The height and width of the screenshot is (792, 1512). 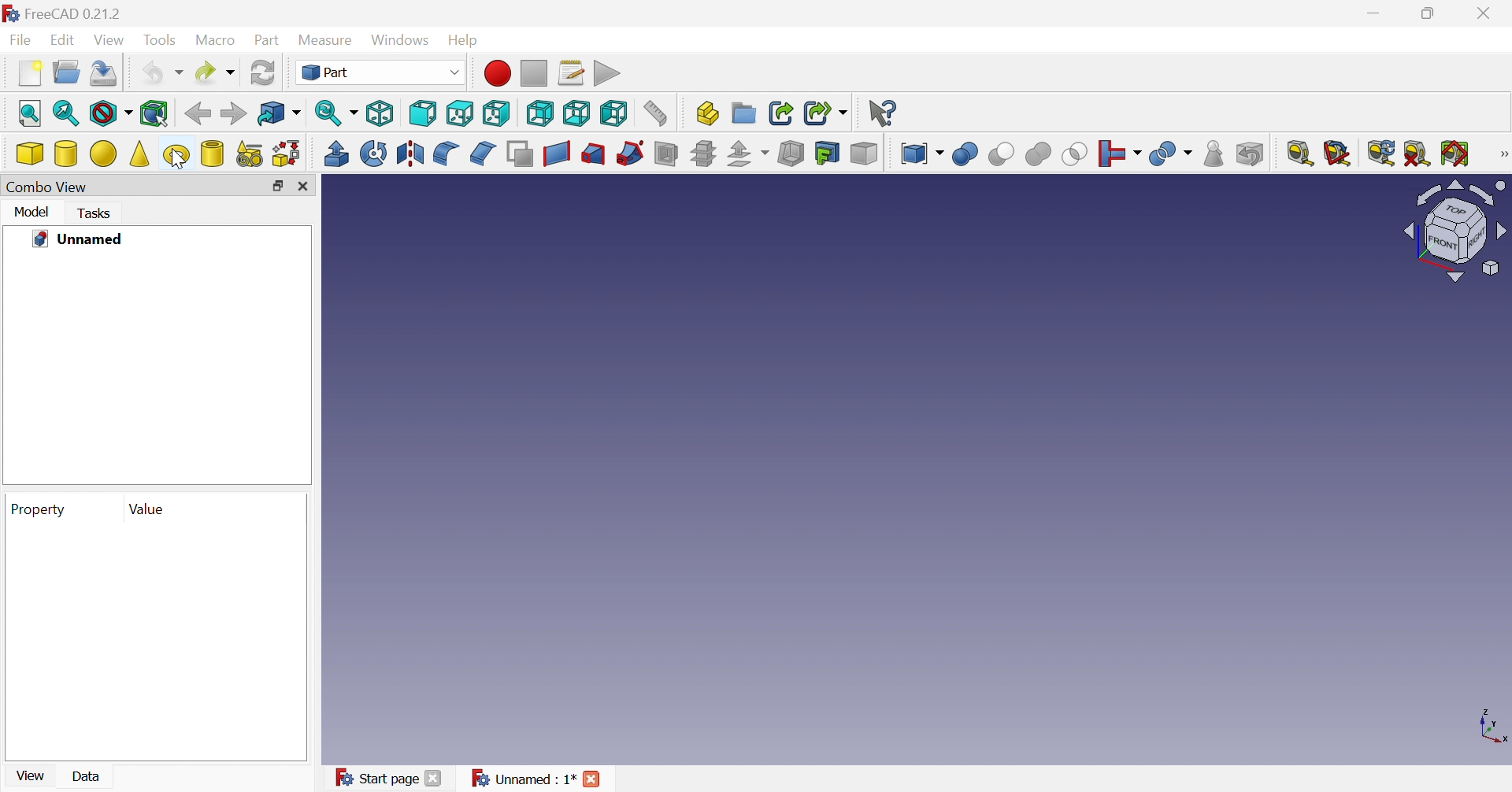 What do you see at coordinates (29, 72) in the screenshot?
I see `` at bounding box center [29, 72].